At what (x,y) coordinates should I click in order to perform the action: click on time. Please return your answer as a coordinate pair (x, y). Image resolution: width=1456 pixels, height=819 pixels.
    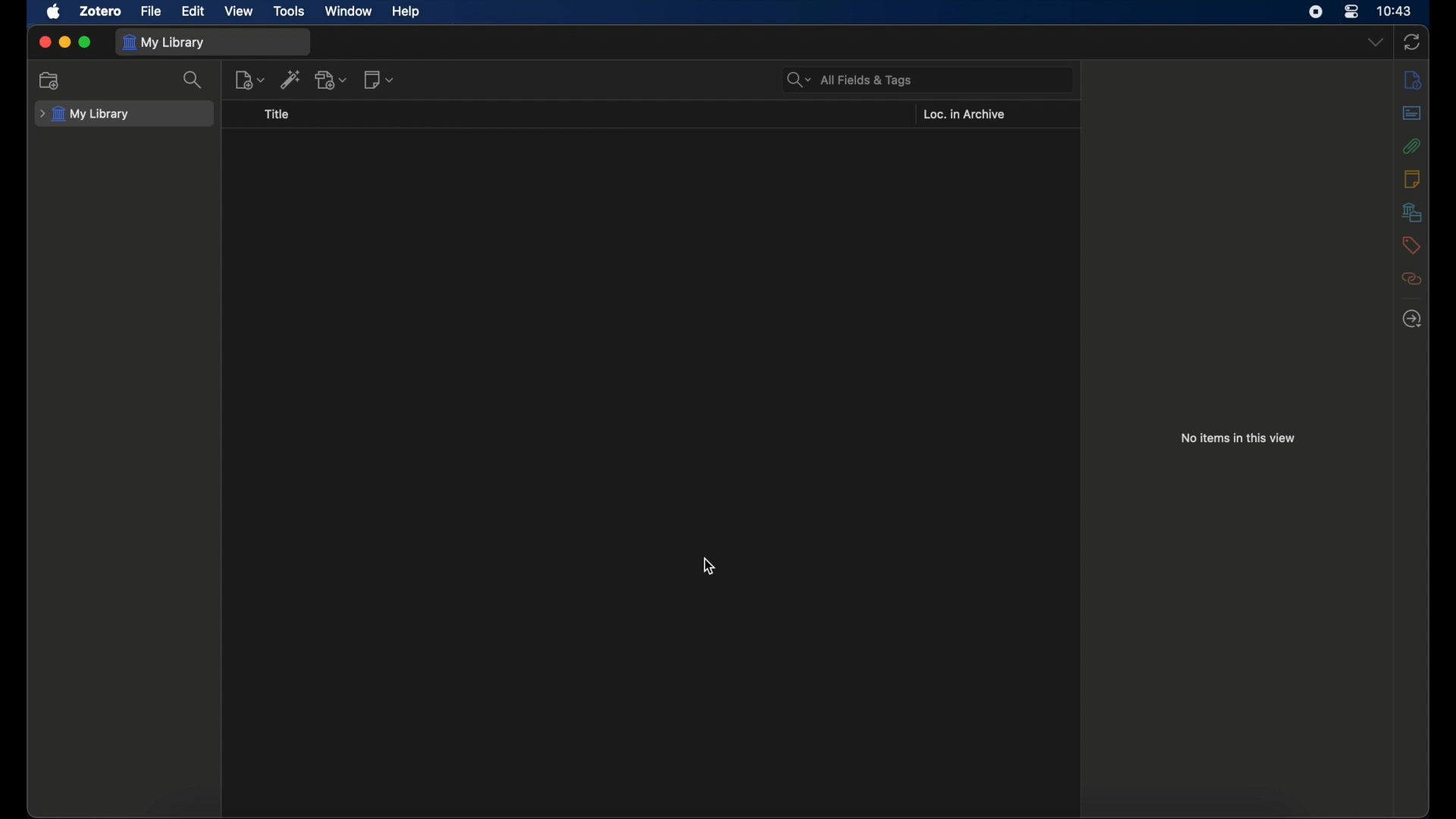
    Looking at the image, I should click on (1396, 10).